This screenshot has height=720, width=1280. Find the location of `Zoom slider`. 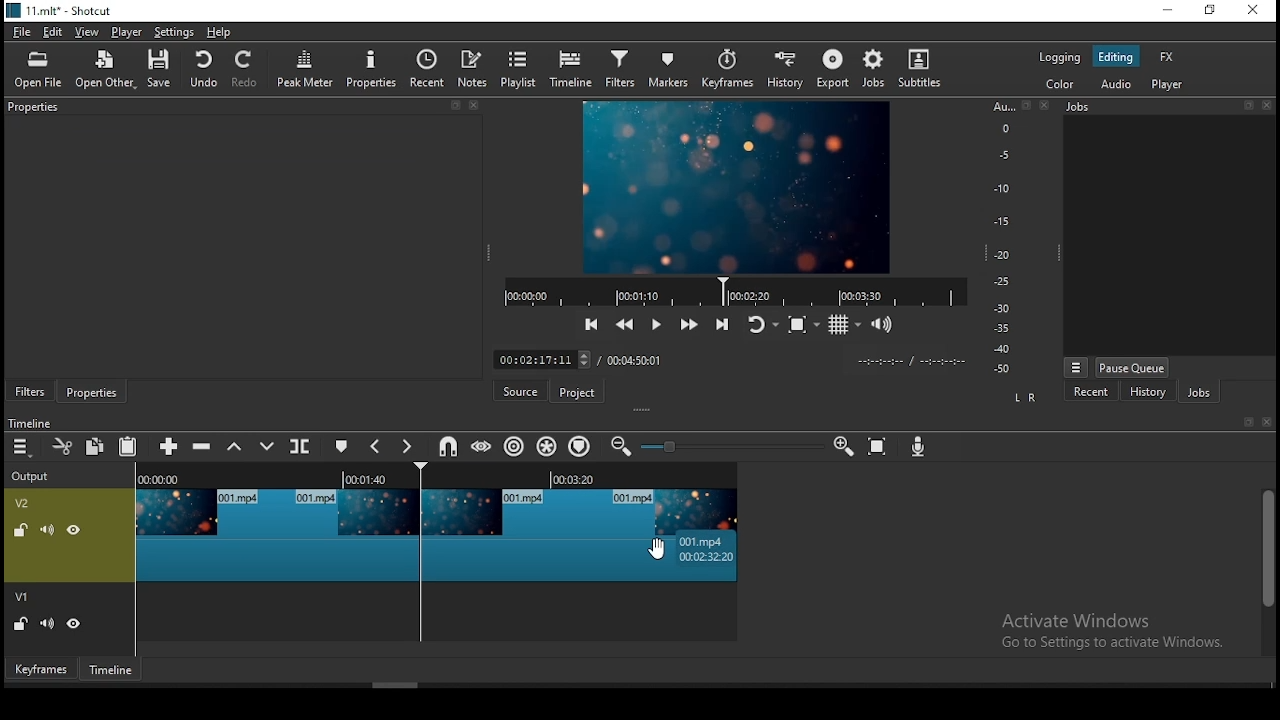

Zoom slider is located at coordinates (729, 446).